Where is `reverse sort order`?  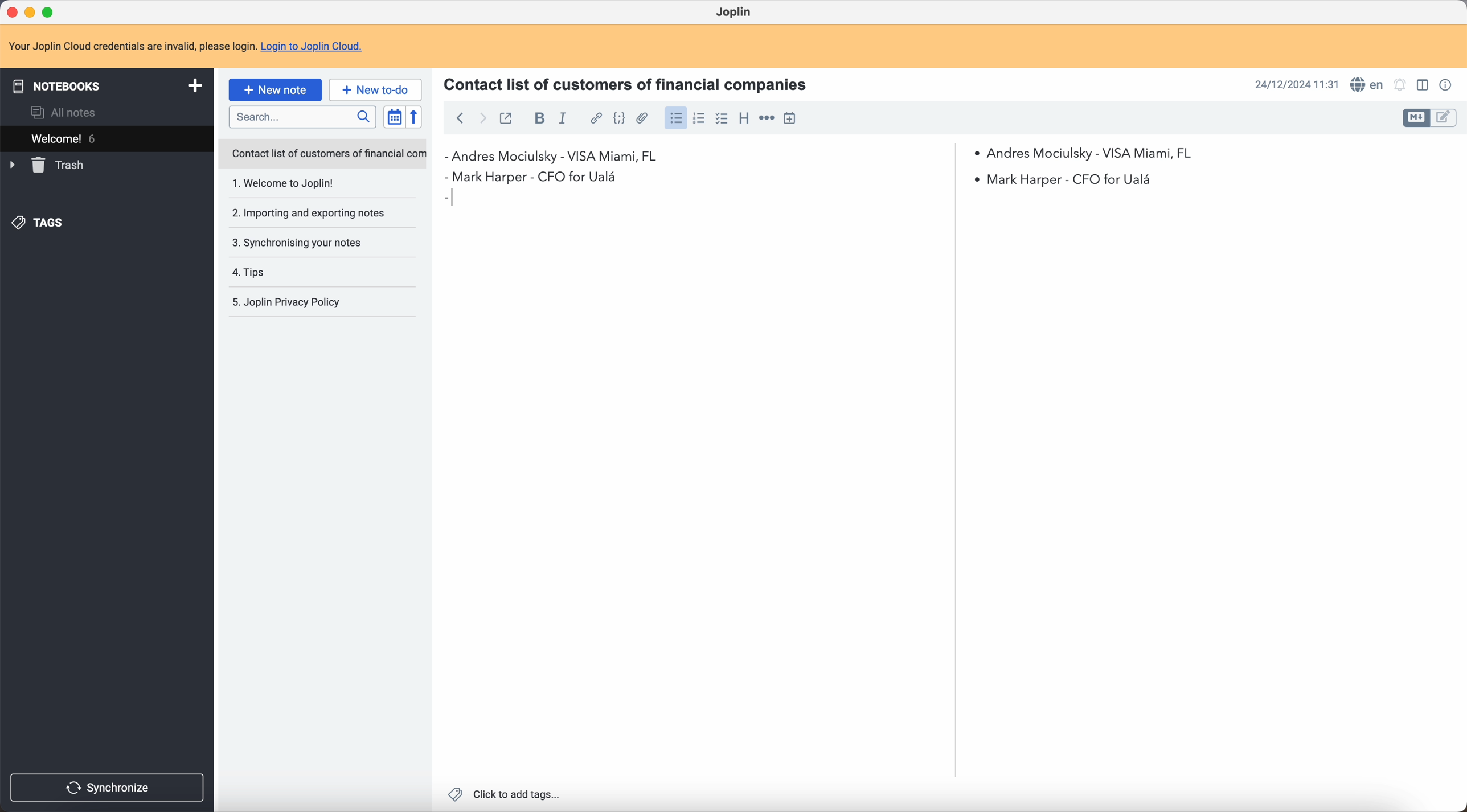 reverse sort order is located at coordinates (413, 117).